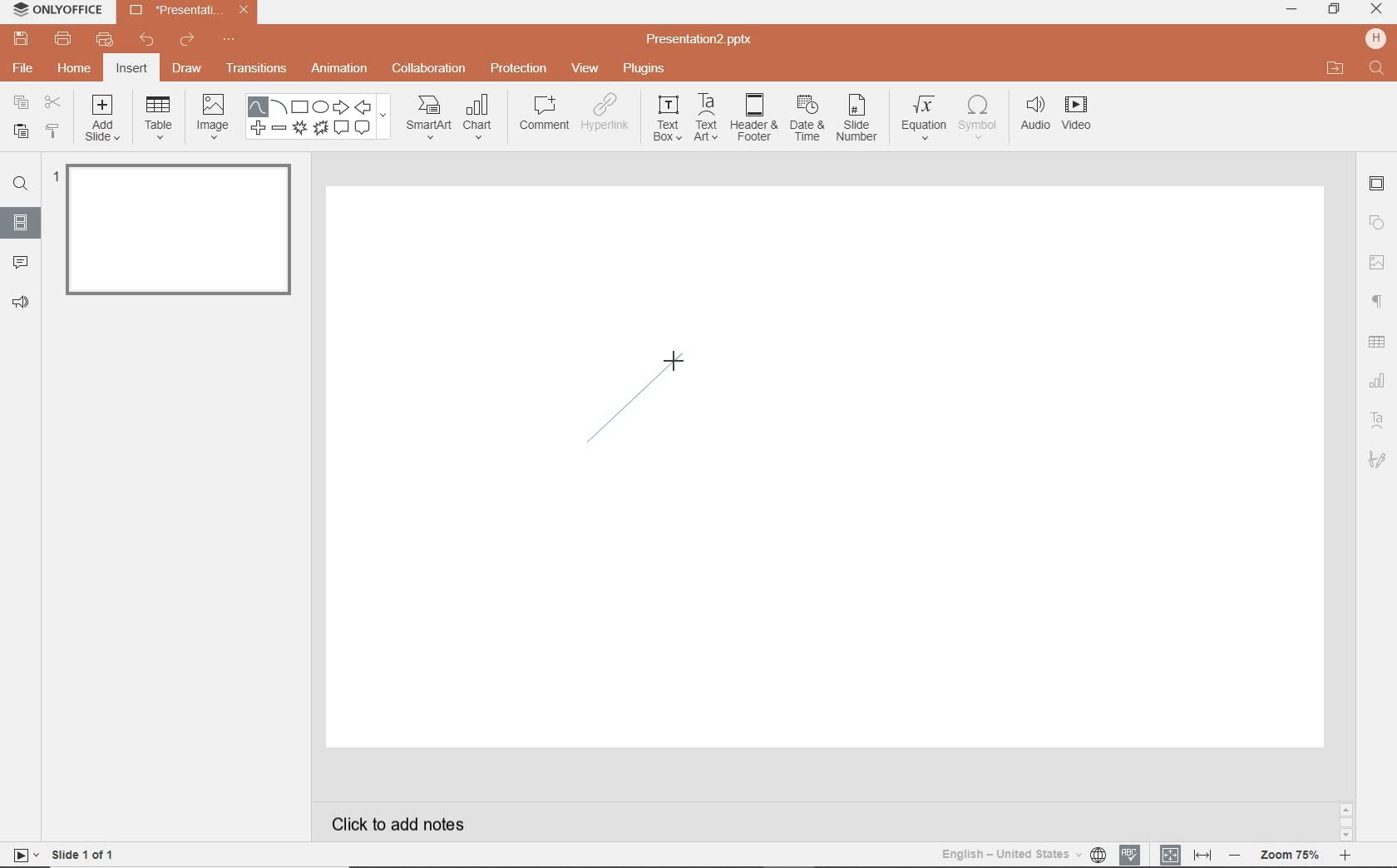 Image resolution: width=1397 pixels, height=868 pixels. What do you see at coordinates (213, 115) in the screenshot?
I see `IMAGE` at bounding box center [213, 115].